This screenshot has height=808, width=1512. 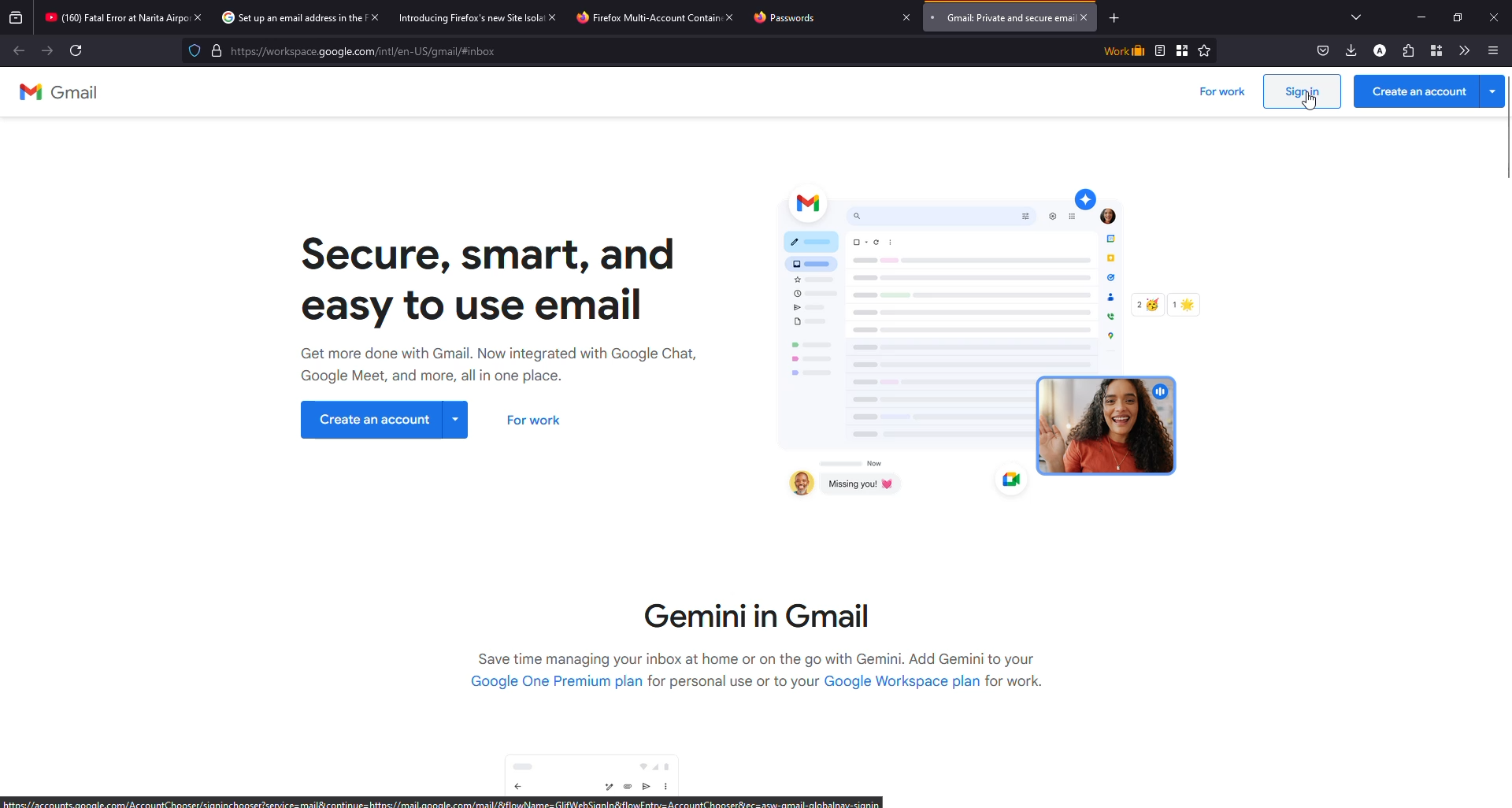 I want to click on close, so click(x=198, y=18).